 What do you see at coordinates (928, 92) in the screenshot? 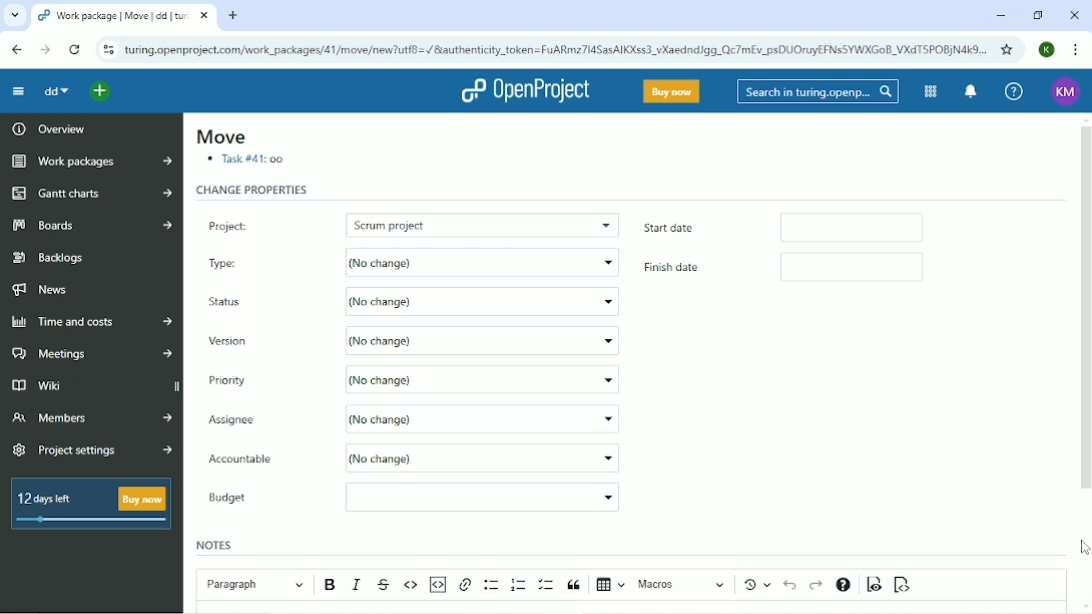
I see `Modules` at bounding box center [928, 92].